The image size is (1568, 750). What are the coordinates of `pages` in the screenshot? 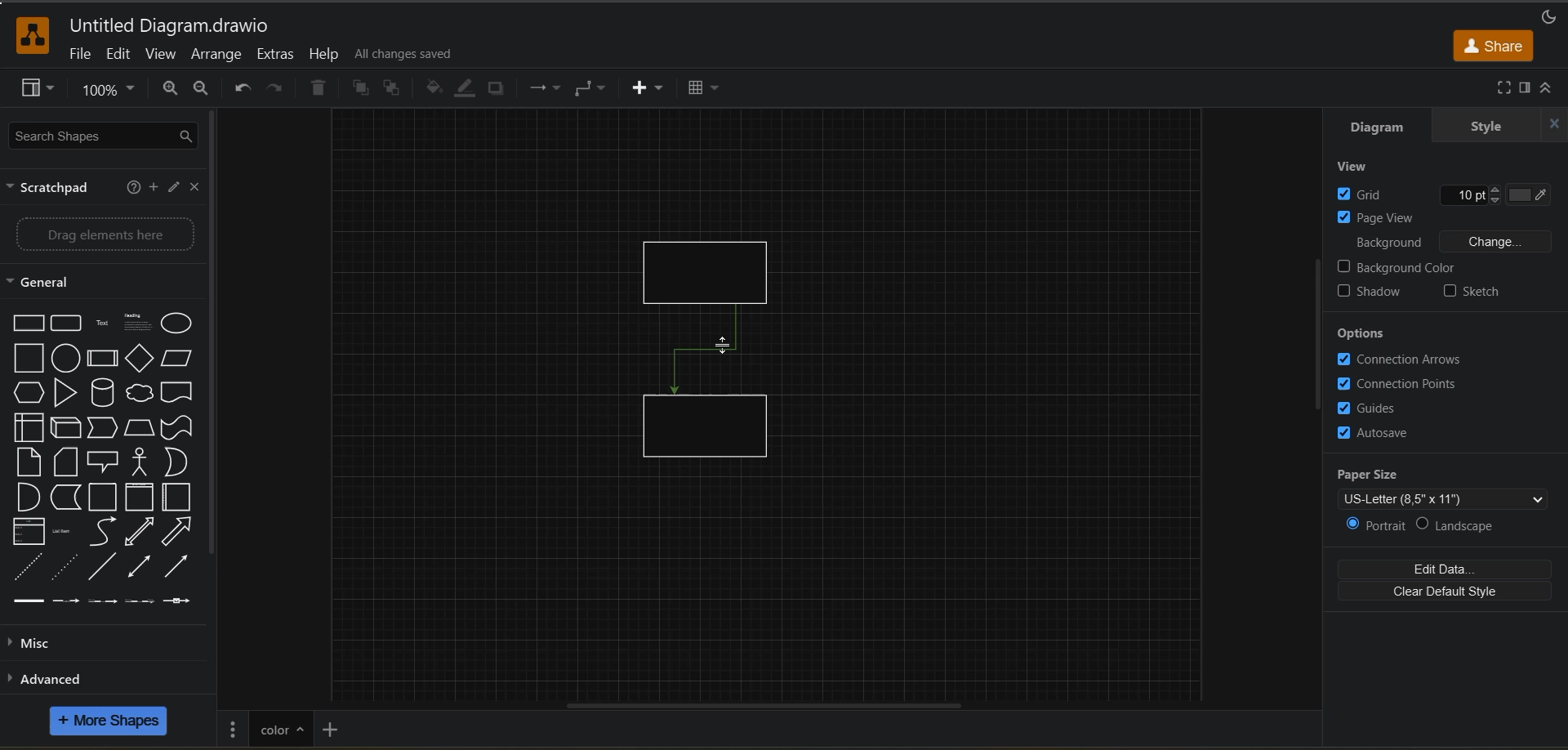 It's located at (234, 727).